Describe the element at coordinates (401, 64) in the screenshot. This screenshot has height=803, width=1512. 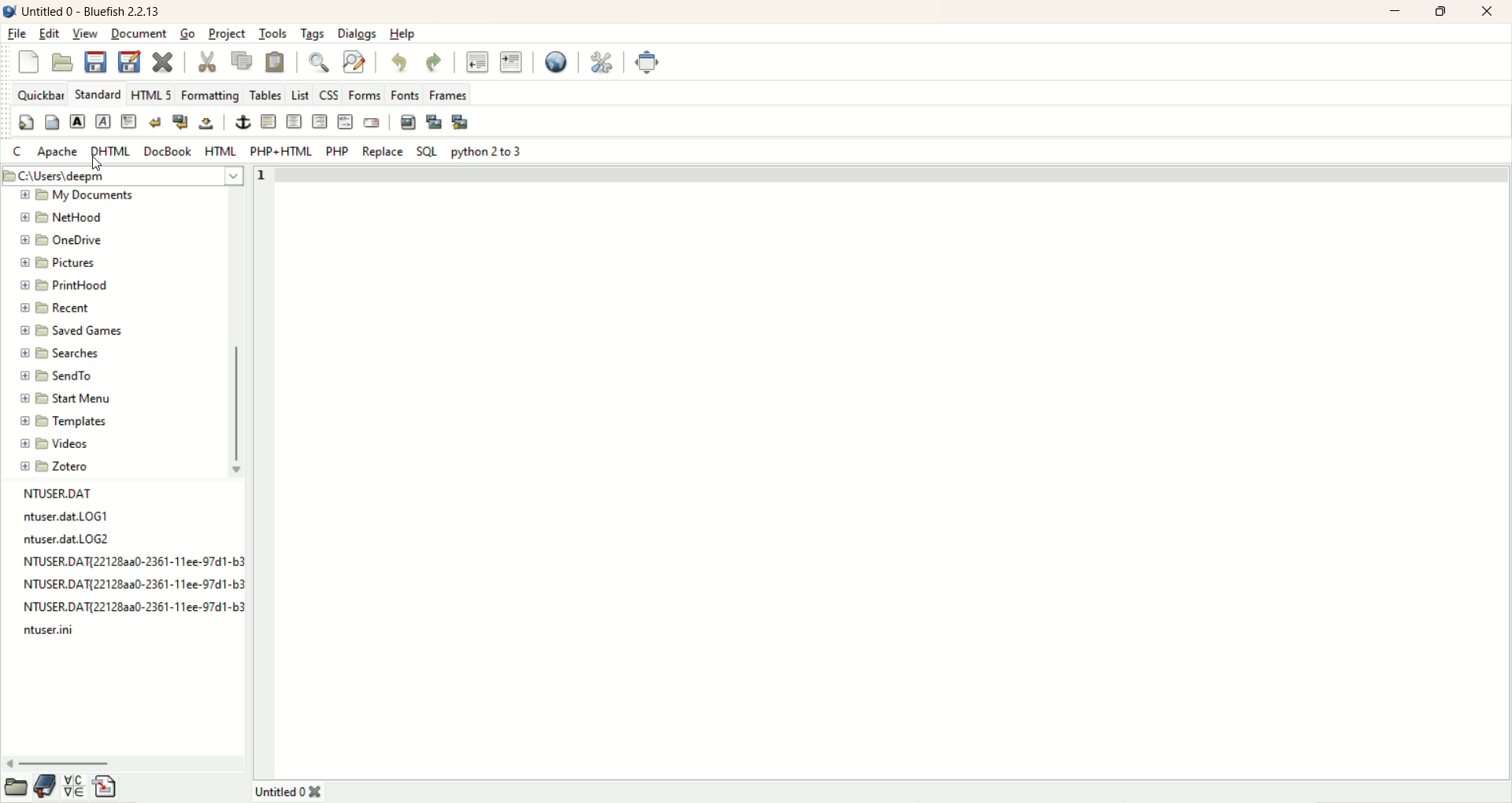
I see `undo` at that location.